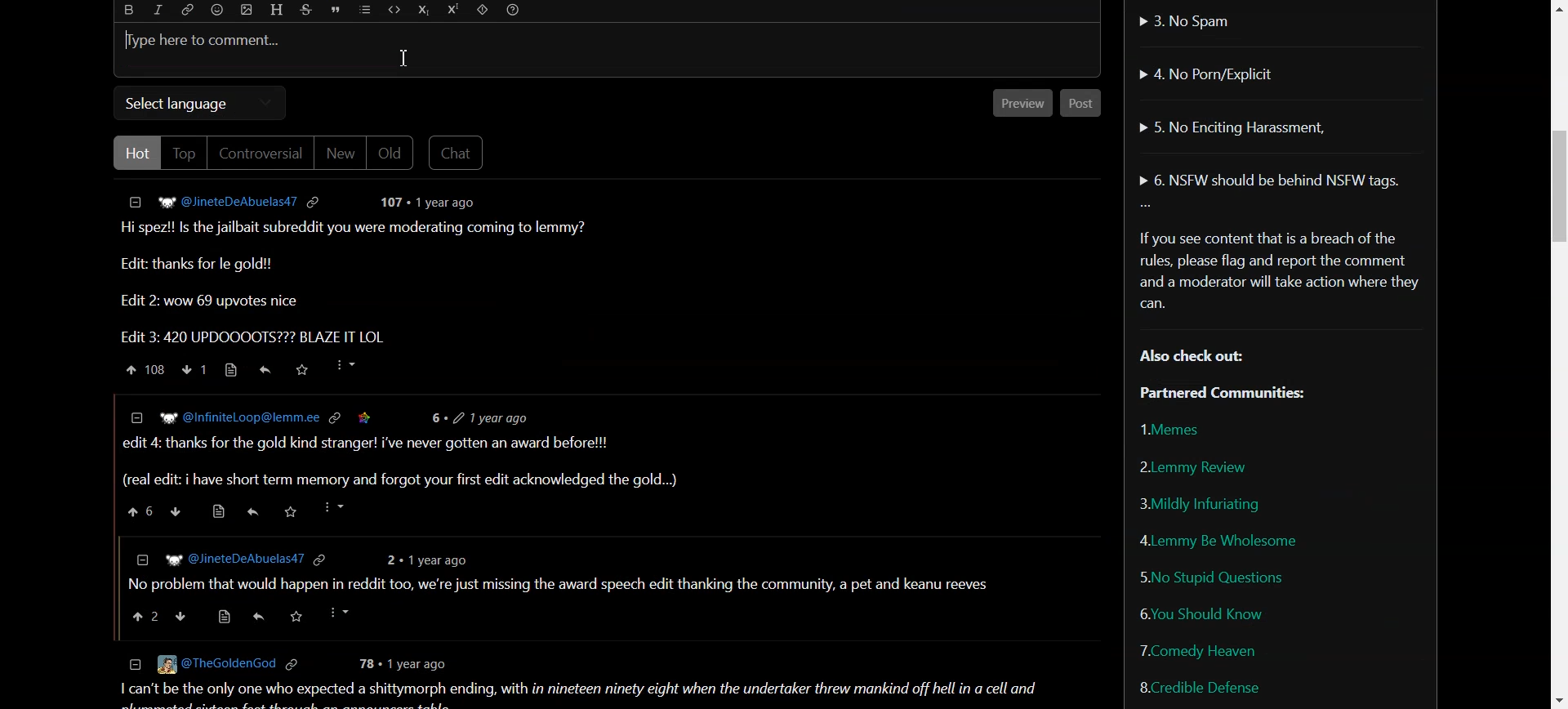 The width and height of the screenshot is (1568, 709). What do you see at coordinates (364, 11) in the screenshot?
I see `List` at bounding box center [364, 11].